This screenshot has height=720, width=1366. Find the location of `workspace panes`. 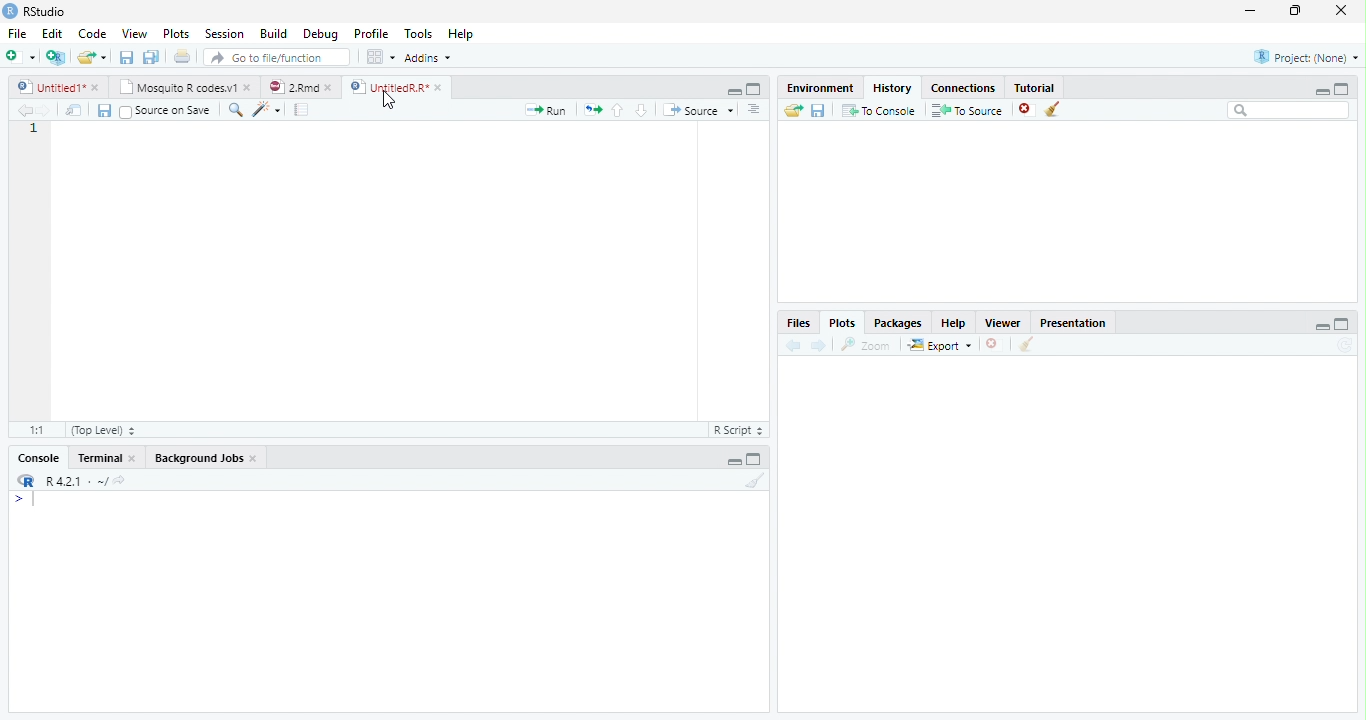

workspace panes is located at coordinates (381, 61).